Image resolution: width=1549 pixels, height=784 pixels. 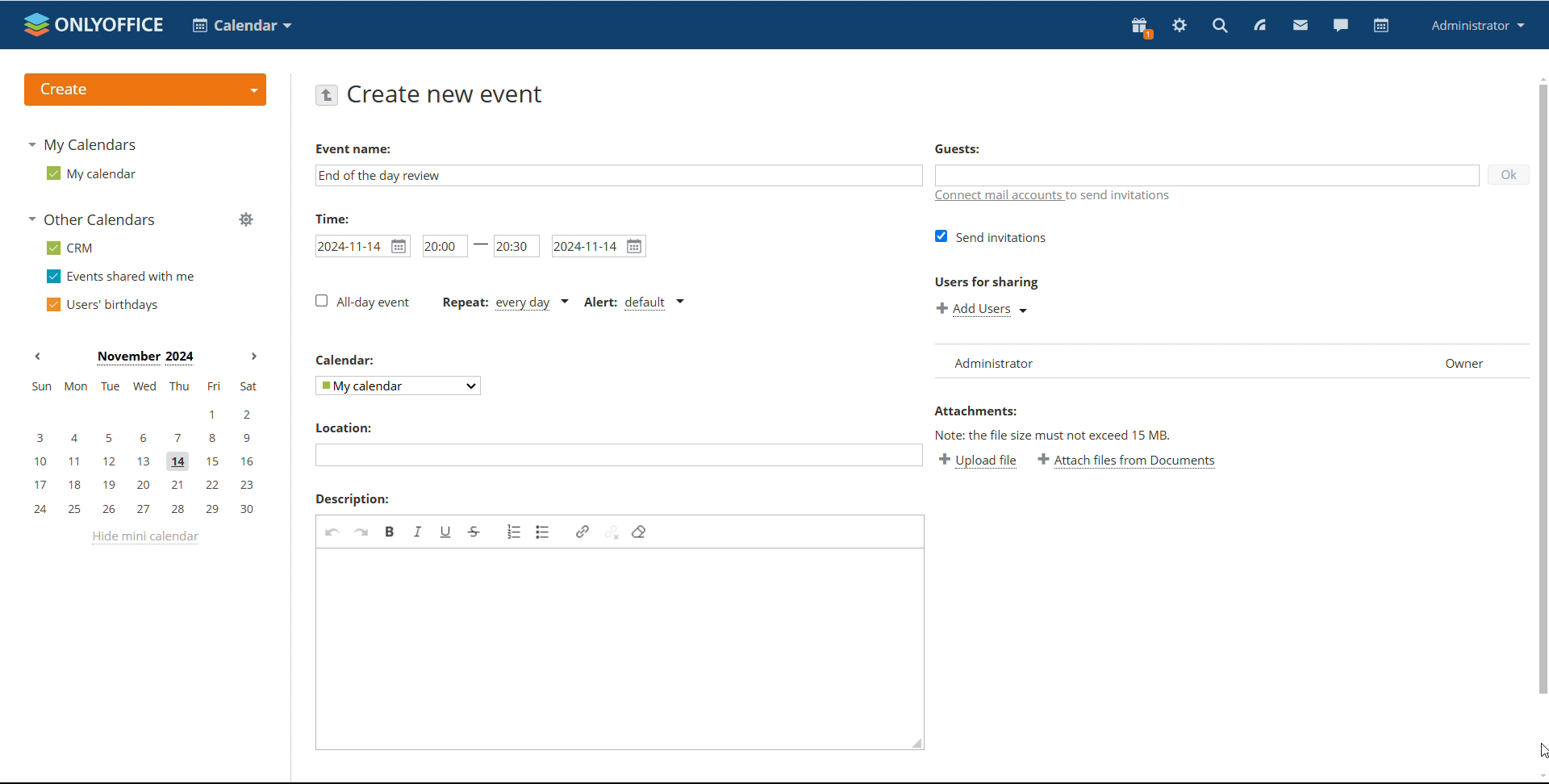 What do you see at coordinates (94, 219) in the screenshot?
I see `other calendars` at bounding box center [94, 219].